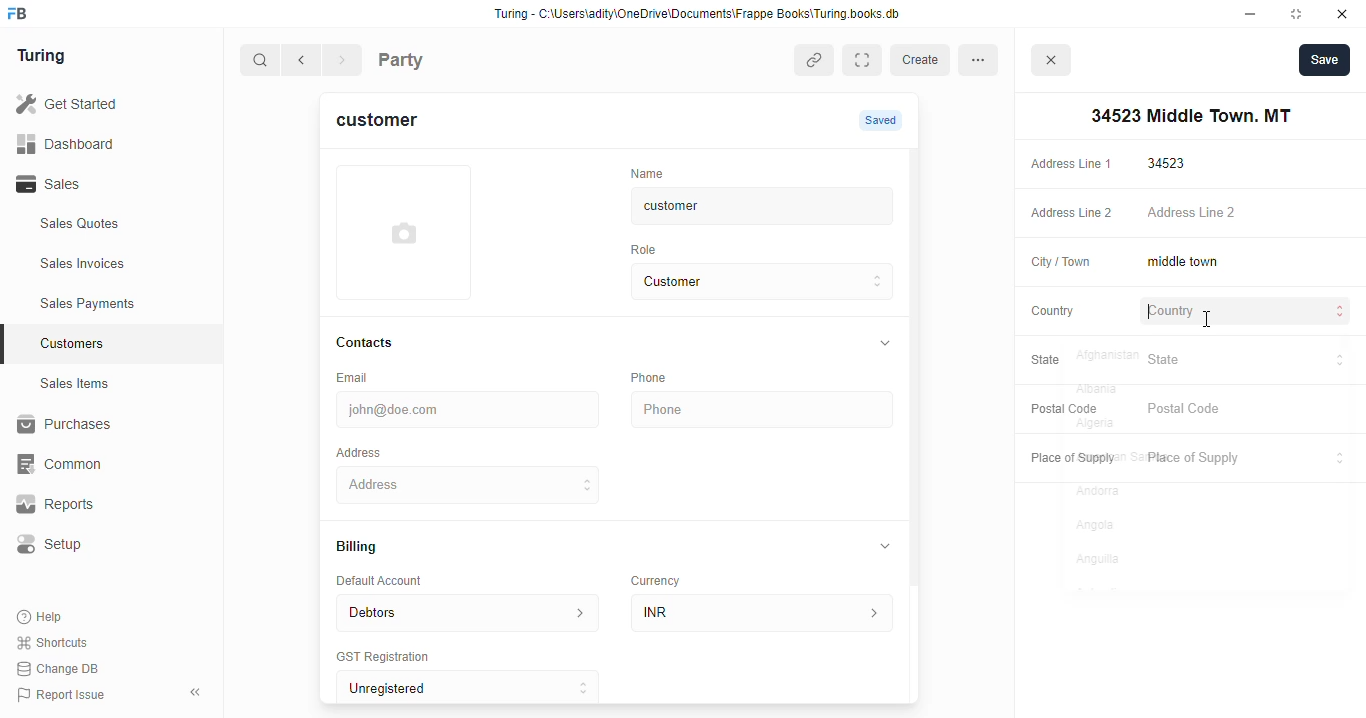  What do you see at coordinates (93, 105) in the screenshot?
I see `Get Started` at bounding box center [93, 105].